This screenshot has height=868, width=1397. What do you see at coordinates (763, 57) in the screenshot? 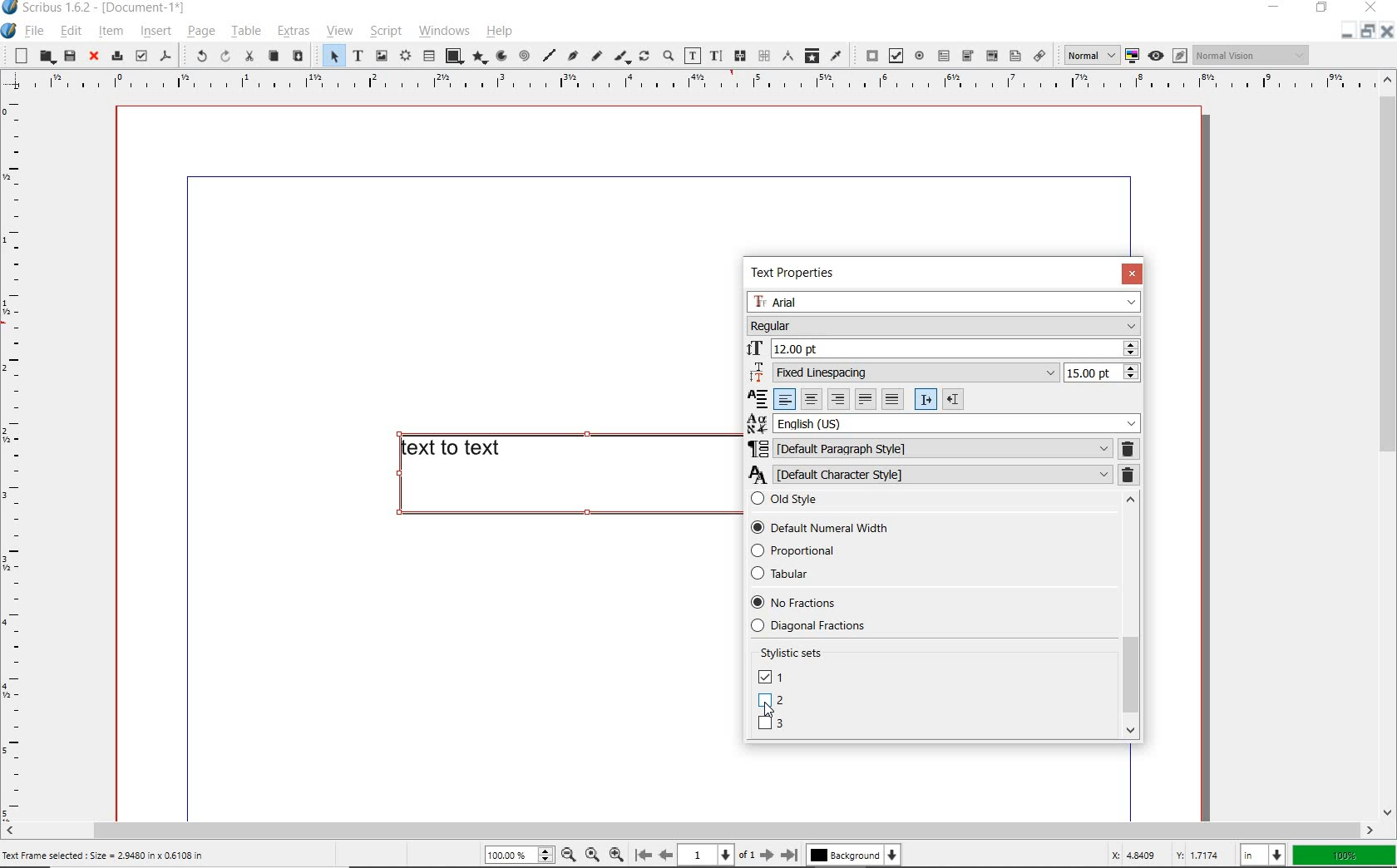
I see `unlink text frames` at bounding box center [763, 57].